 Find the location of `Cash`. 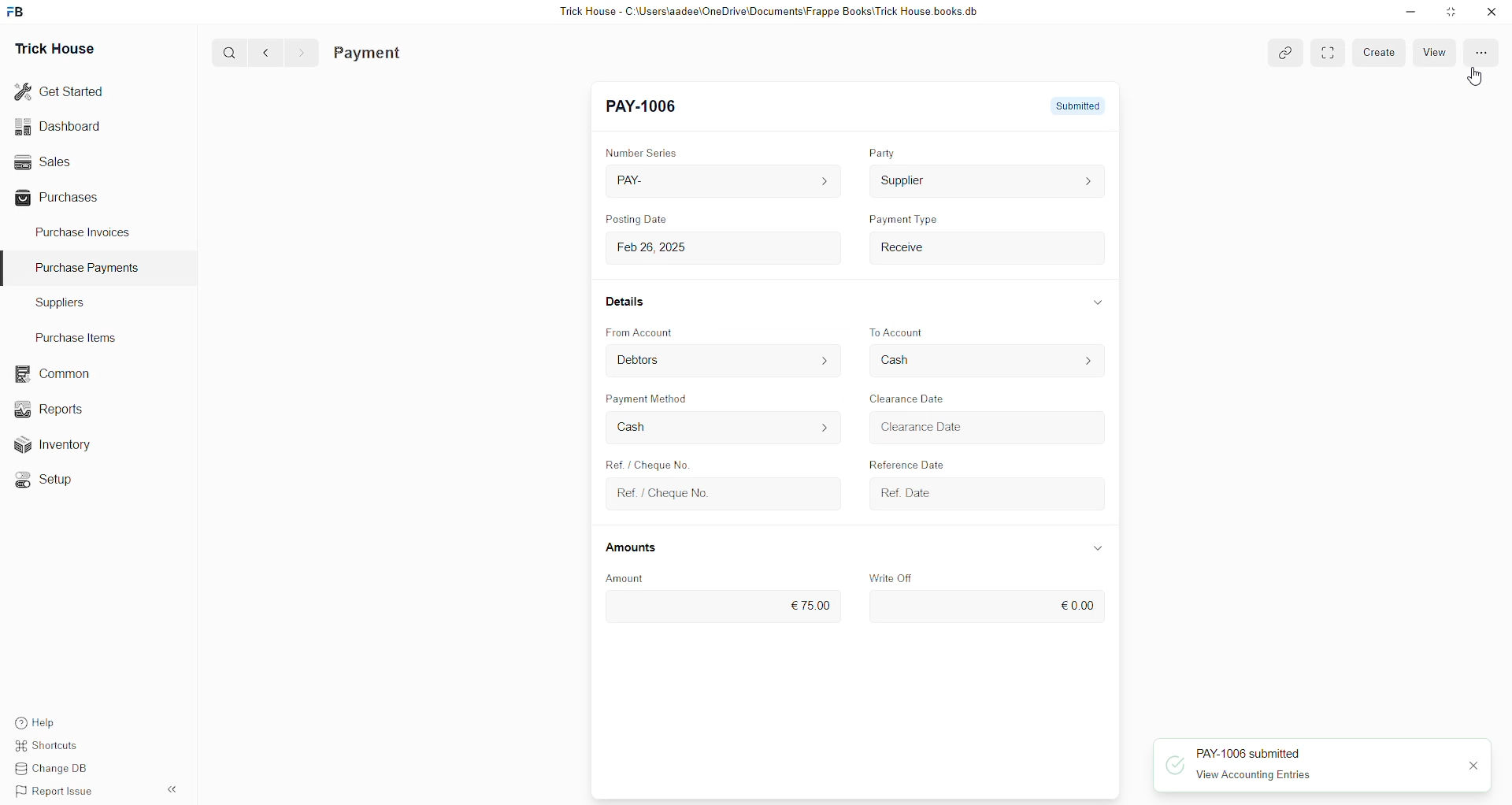

Cash is located at coordinates (978, 362).